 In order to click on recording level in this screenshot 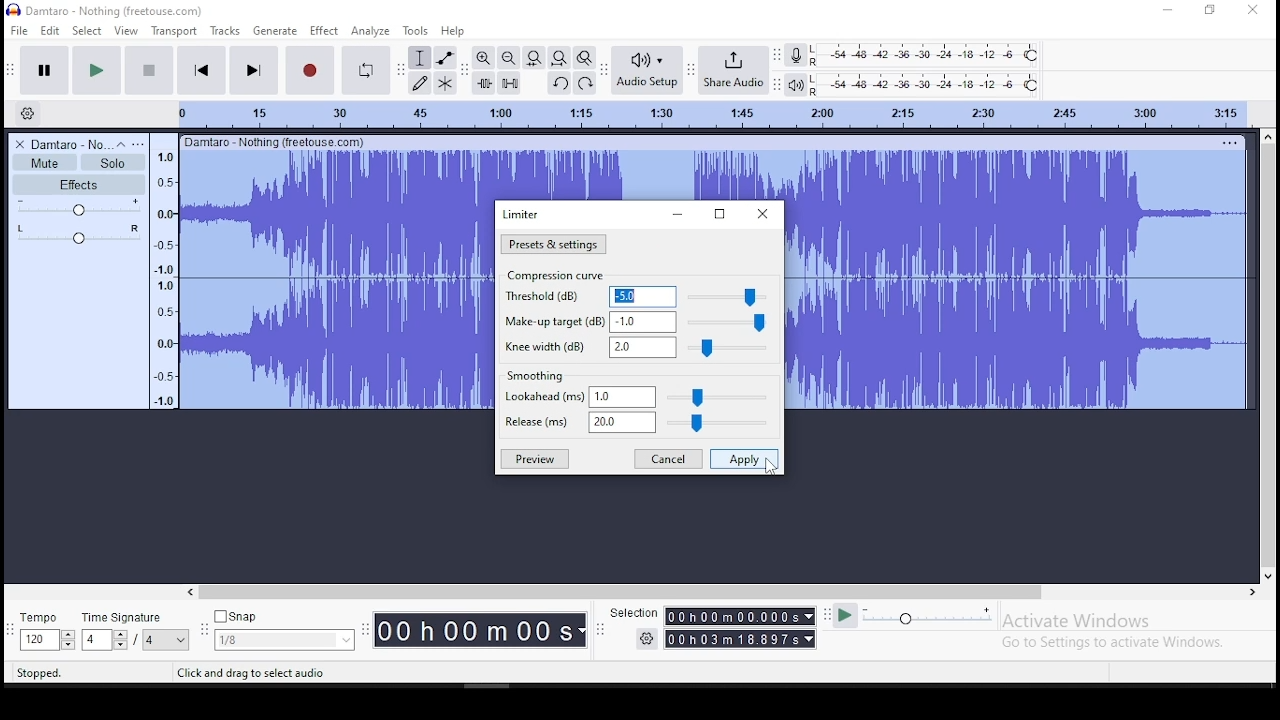, I will do `click(927, 55)`.